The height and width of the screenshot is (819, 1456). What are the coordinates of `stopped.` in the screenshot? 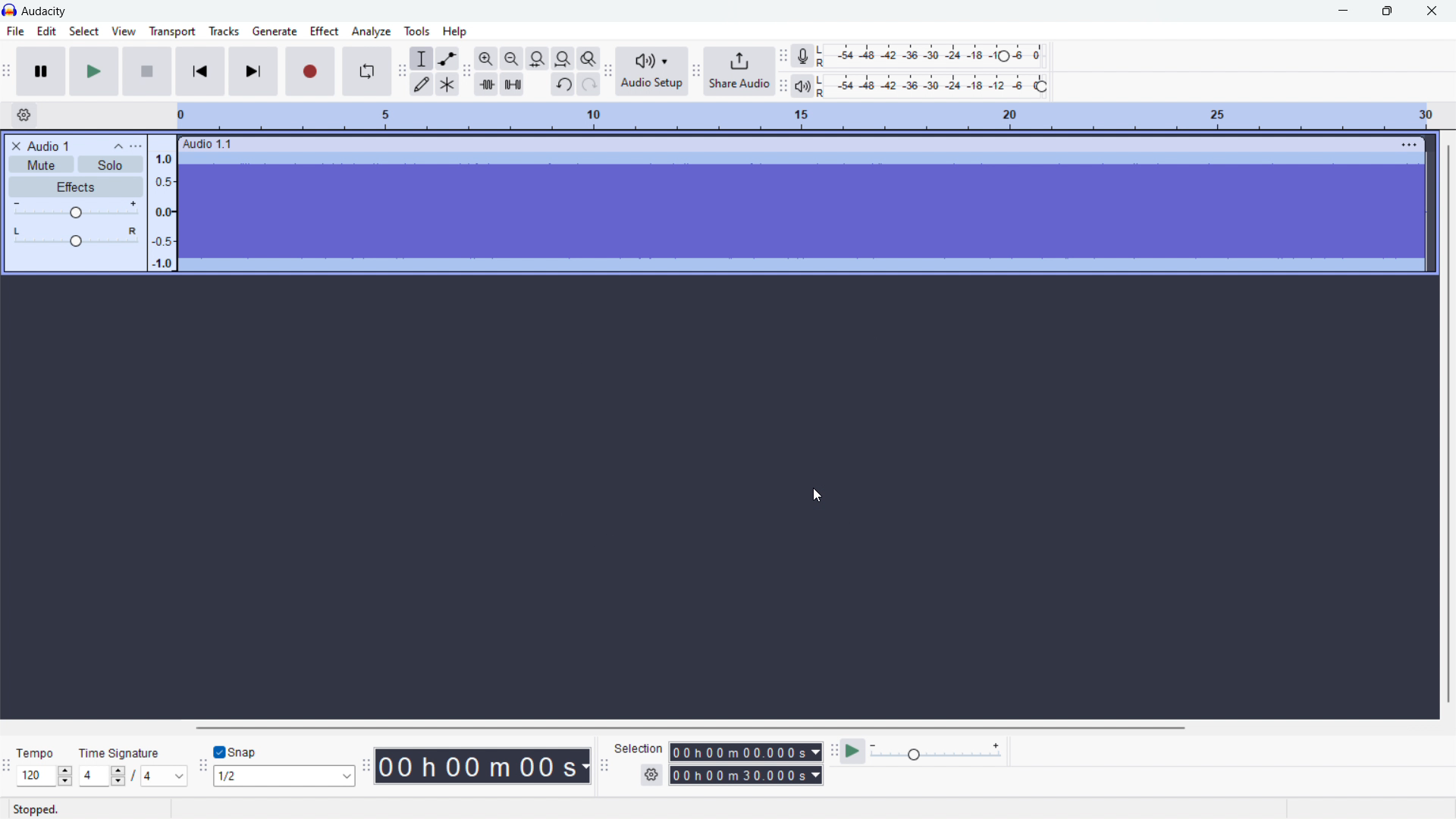 It's located at (41, 808).